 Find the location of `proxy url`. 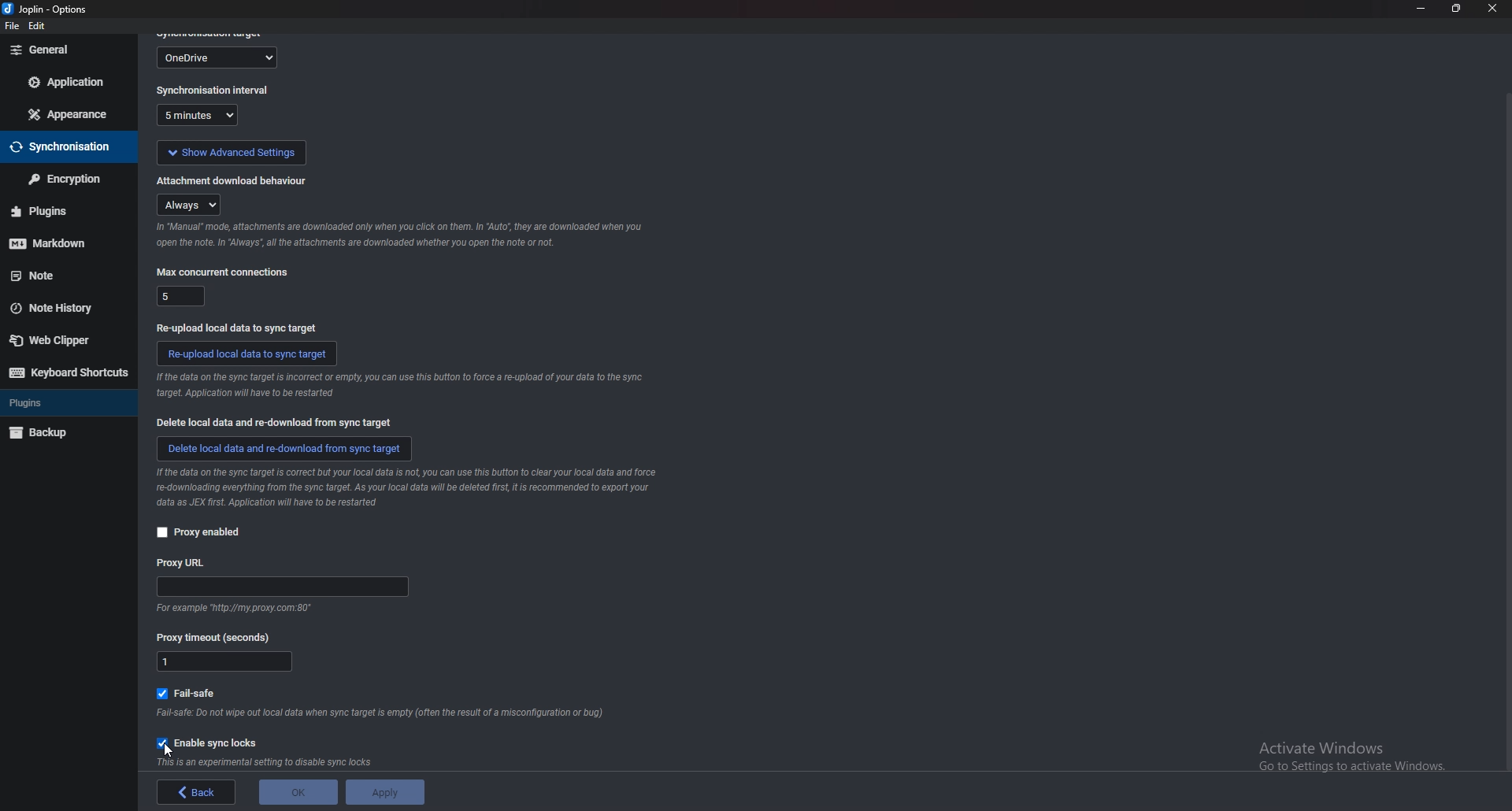

proxy url is located at coordinates (183, 562).